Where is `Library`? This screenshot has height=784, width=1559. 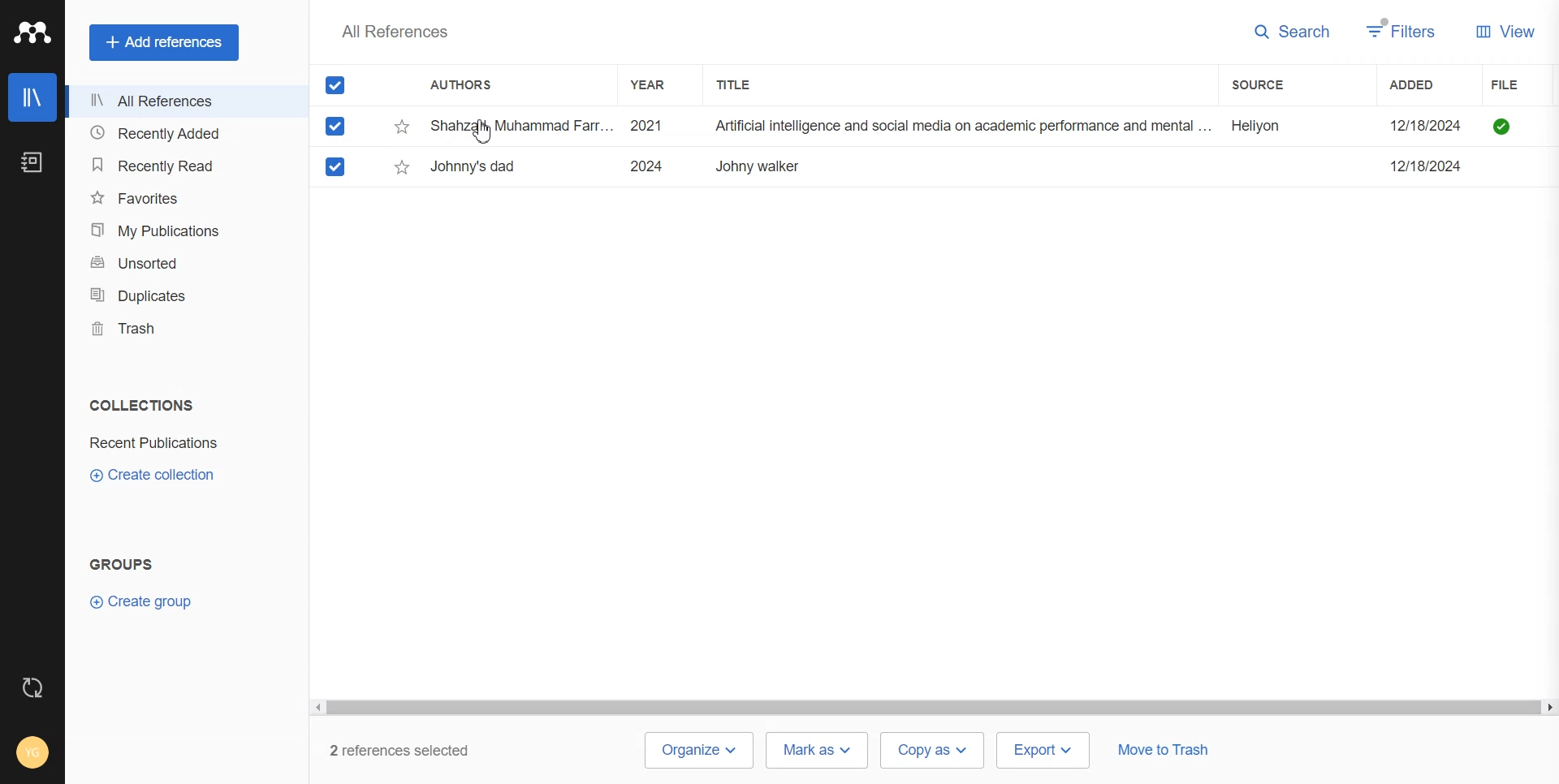 Library is located at coordinates (32, 97).